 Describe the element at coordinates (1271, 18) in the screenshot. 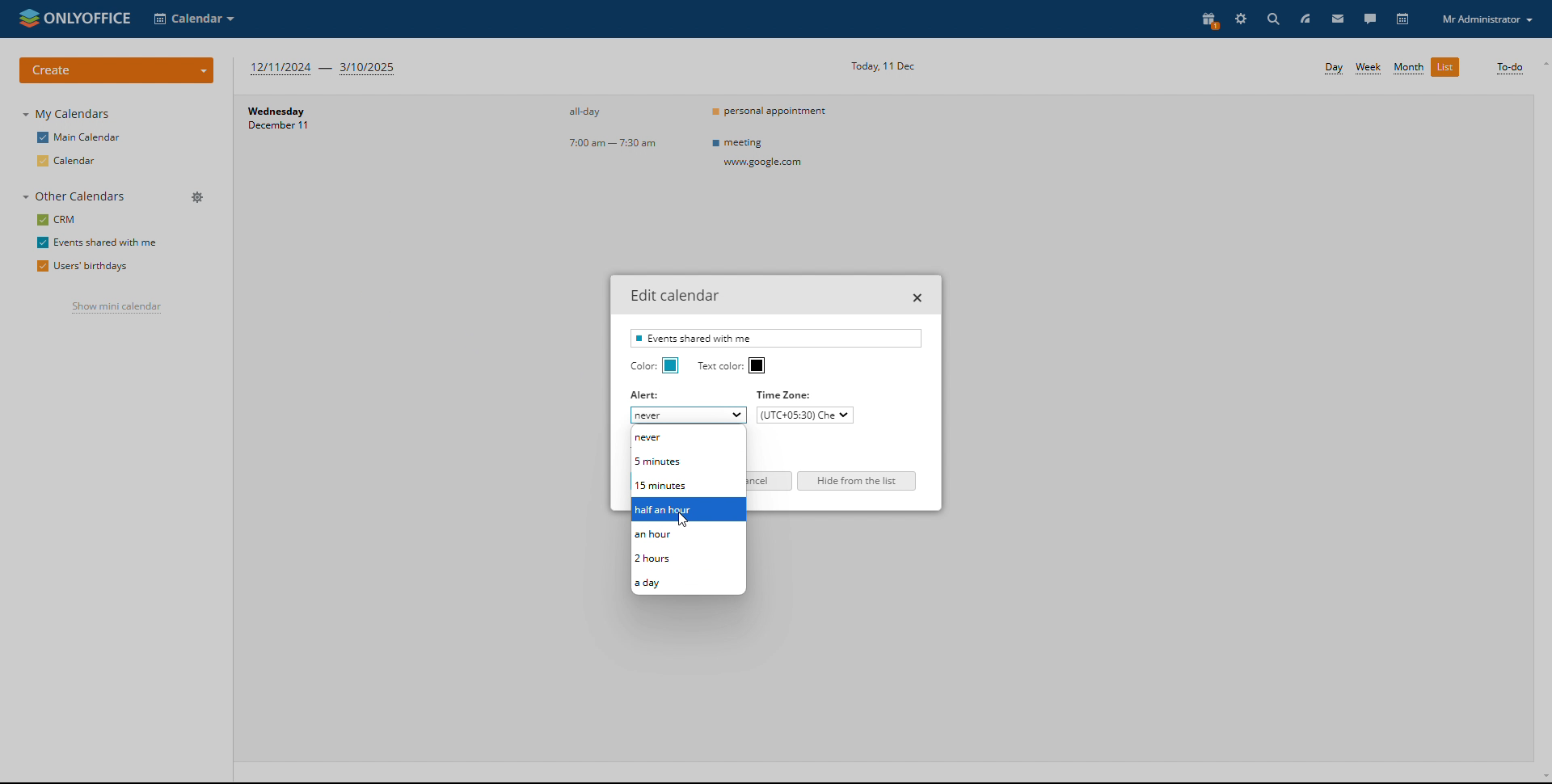

I see `search` at that location.